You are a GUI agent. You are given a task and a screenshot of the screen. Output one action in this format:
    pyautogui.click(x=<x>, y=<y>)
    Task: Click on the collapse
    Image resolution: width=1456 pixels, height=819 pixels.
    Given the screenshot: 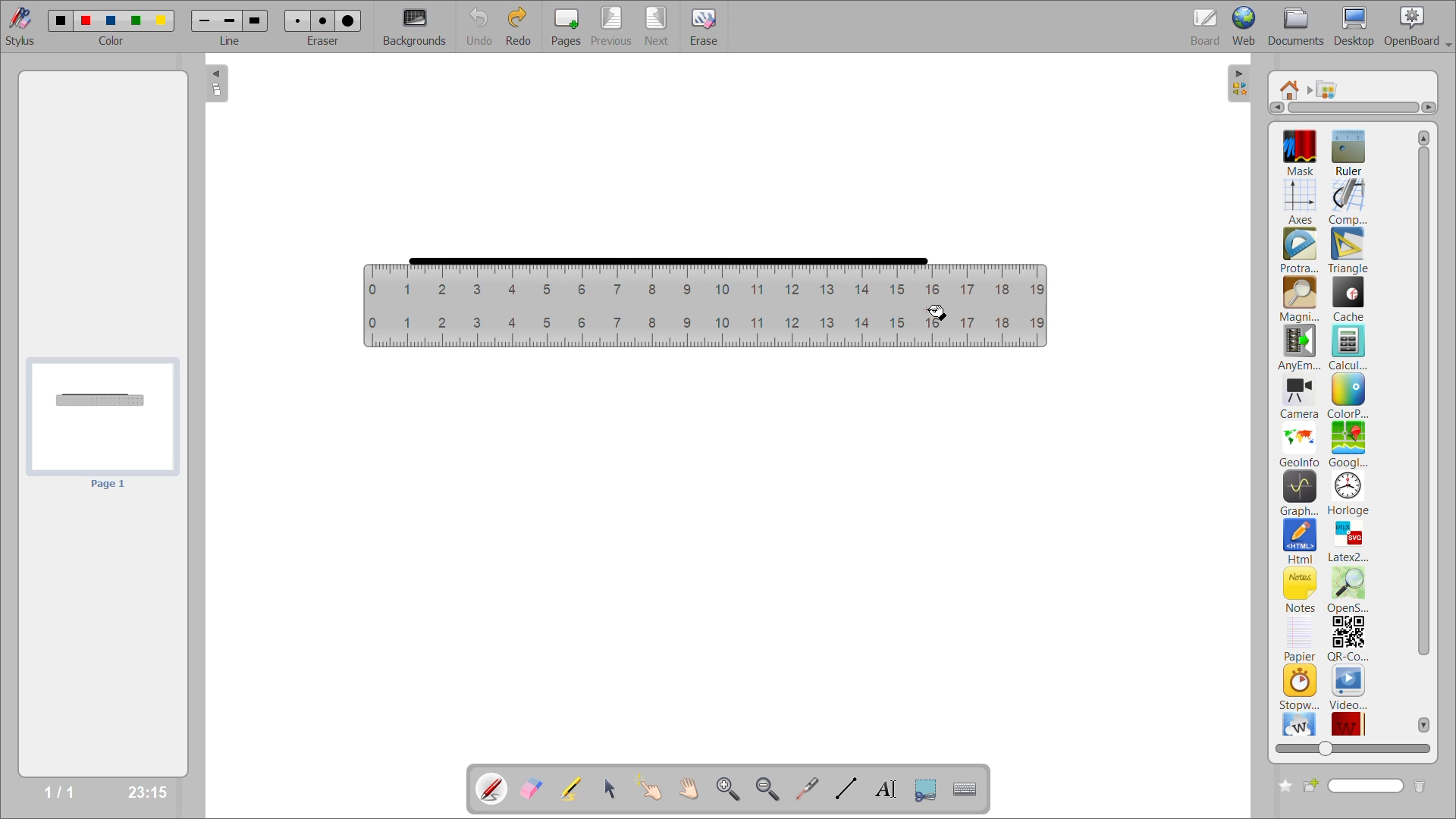 What is the action you would take?
    pyautogui.click(x=1241, y=84)
    